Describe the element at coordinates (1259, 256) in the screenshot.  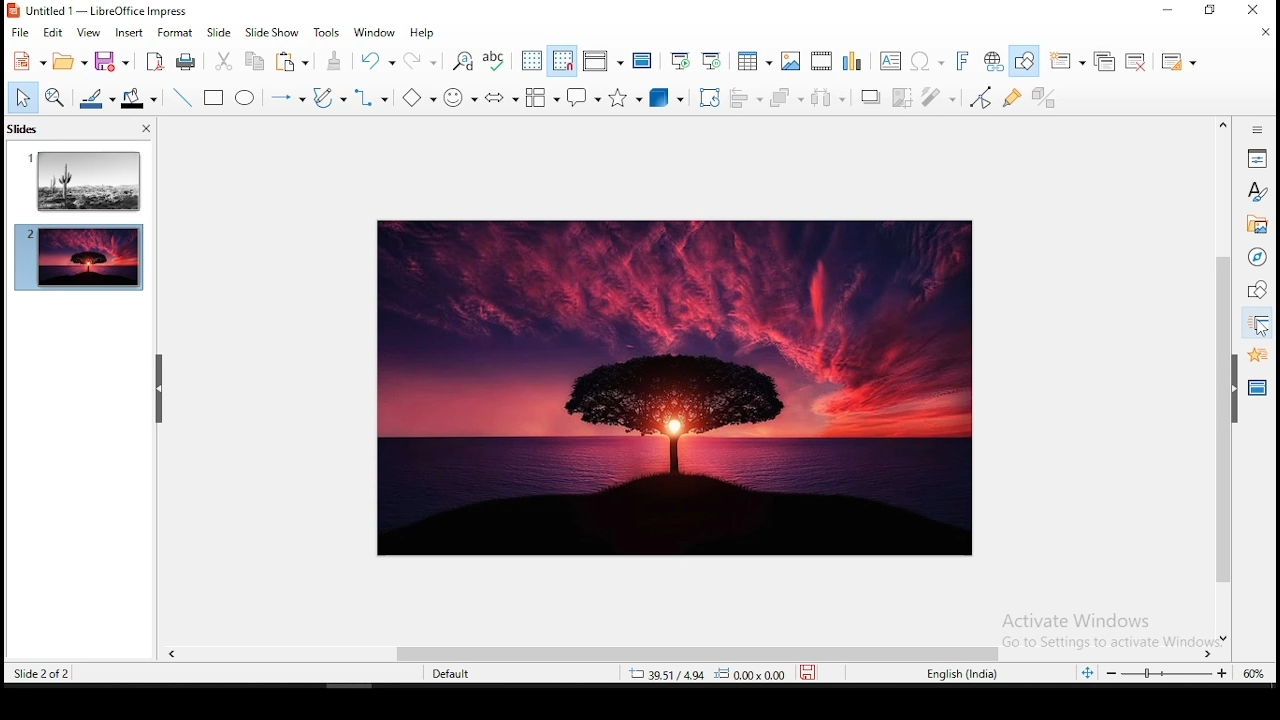
I see `navigator` at that location.